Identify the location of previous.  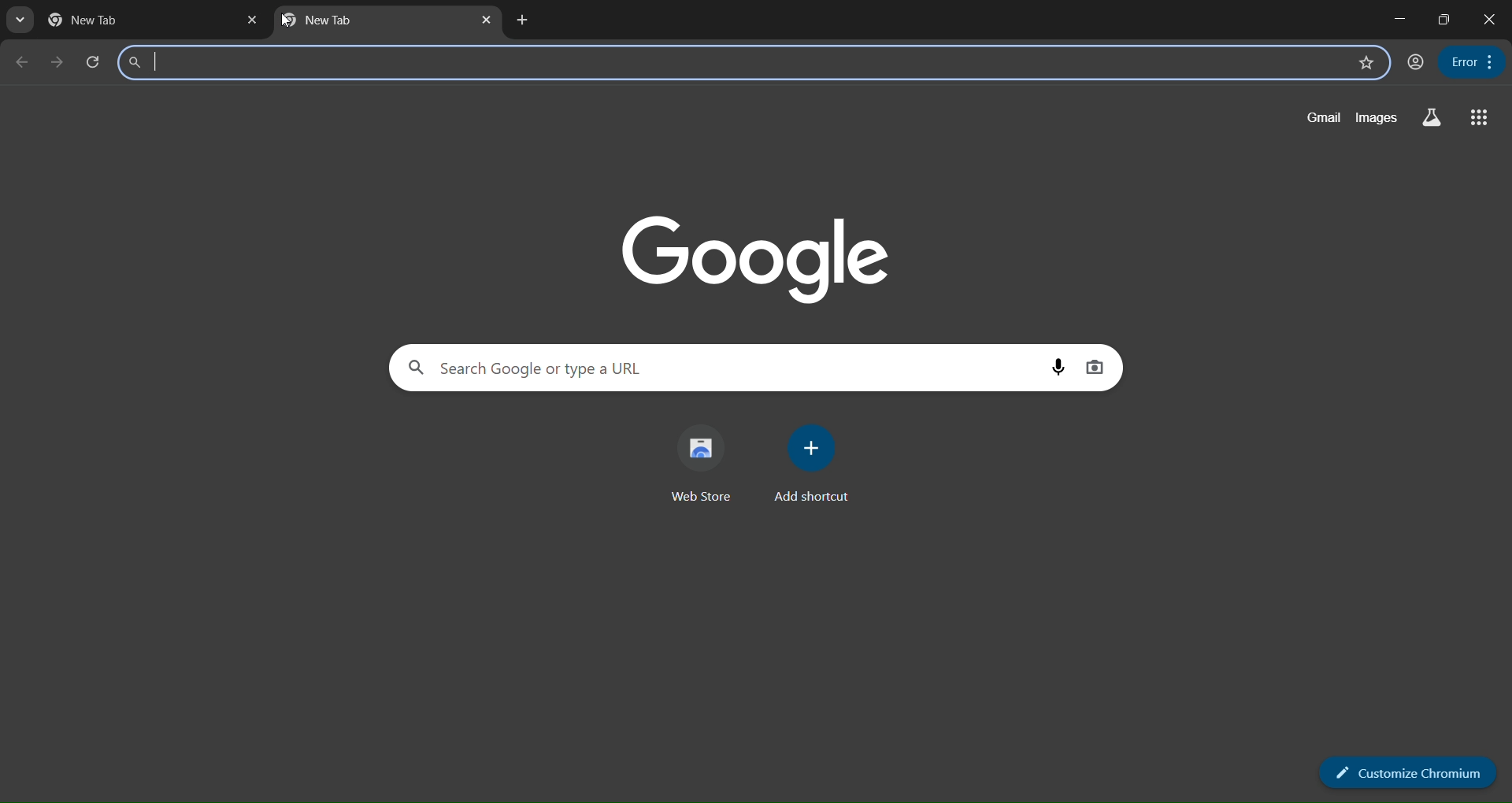
(22, 63).